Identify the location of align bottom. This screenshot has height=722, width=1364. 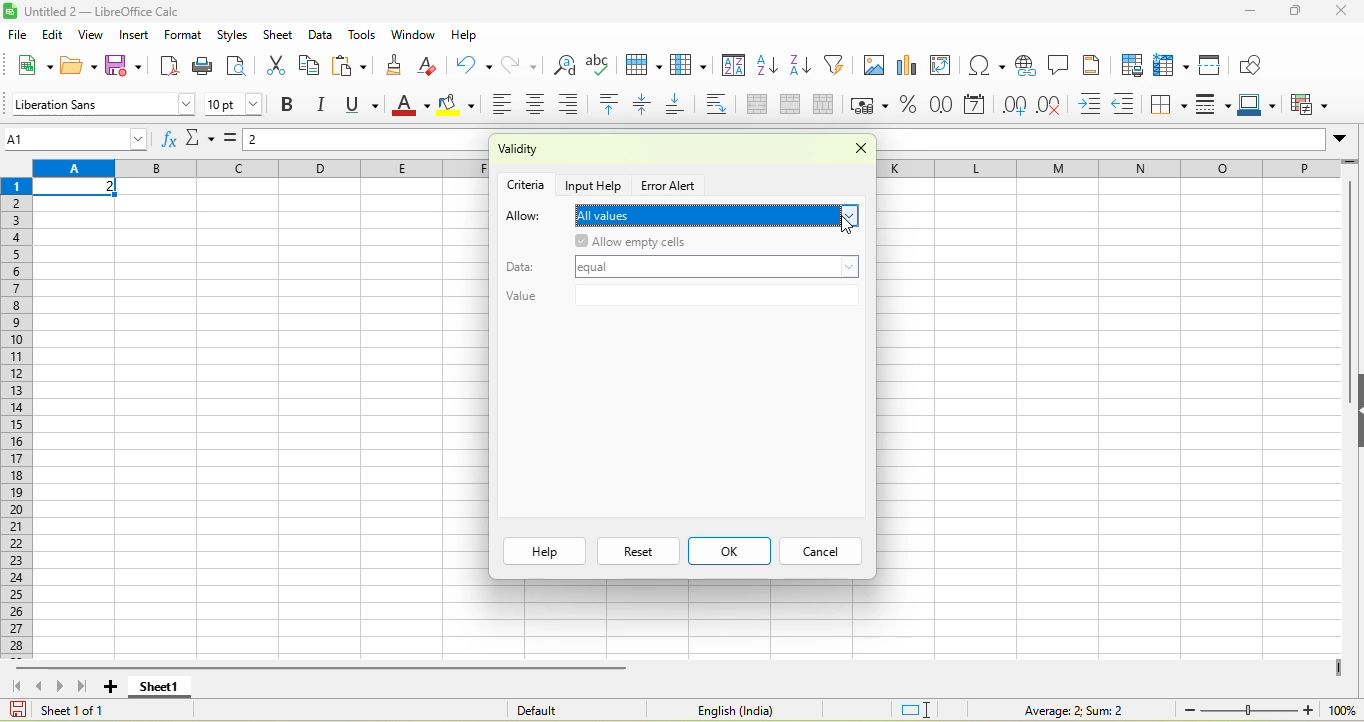
(682, 106).